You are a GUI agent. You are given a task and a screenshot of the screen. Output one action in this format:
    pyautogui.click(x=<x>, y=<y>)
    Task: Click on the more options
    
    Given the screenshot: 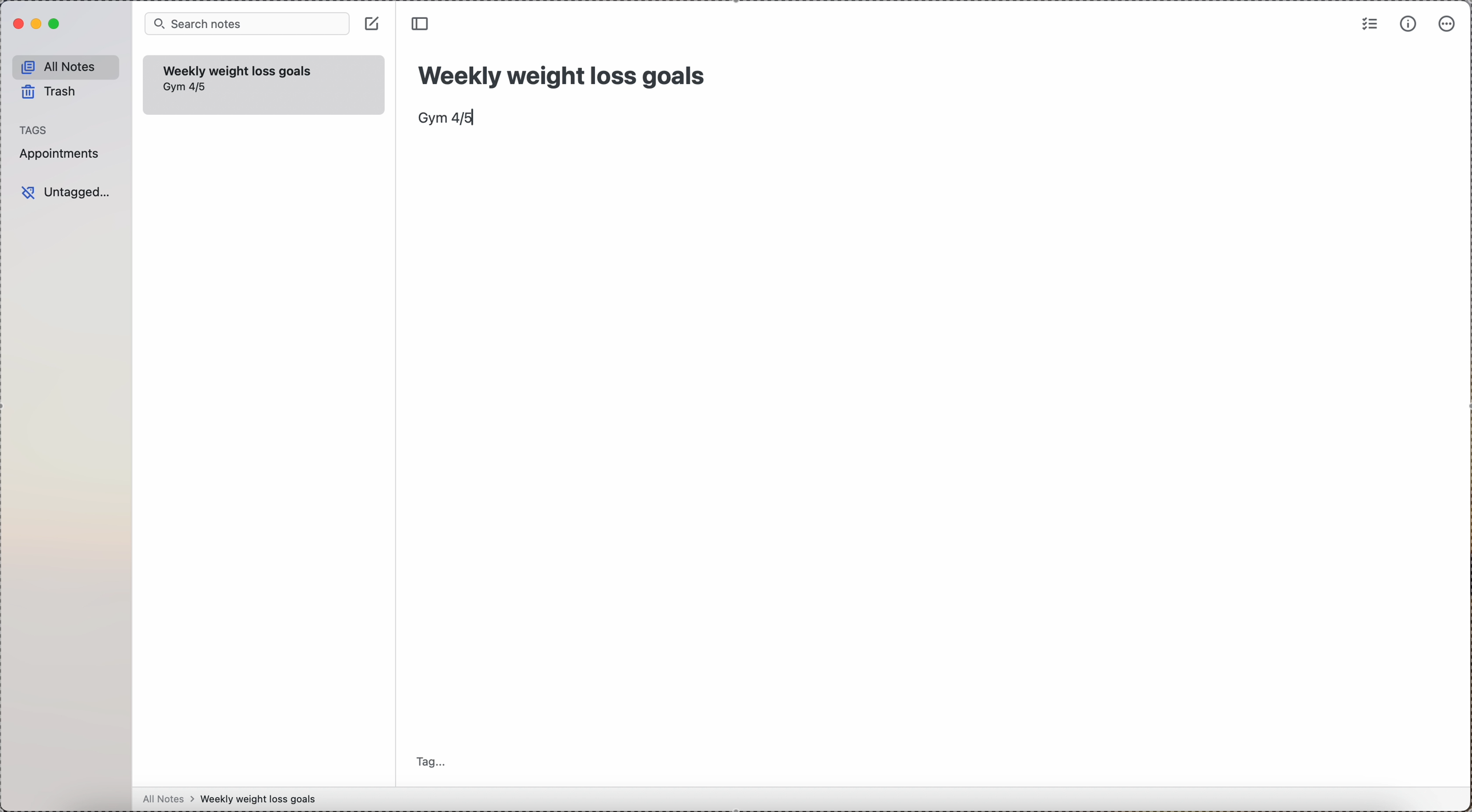 What is the action you would take?
    pyautogui.click(x=1449, y=23)
    